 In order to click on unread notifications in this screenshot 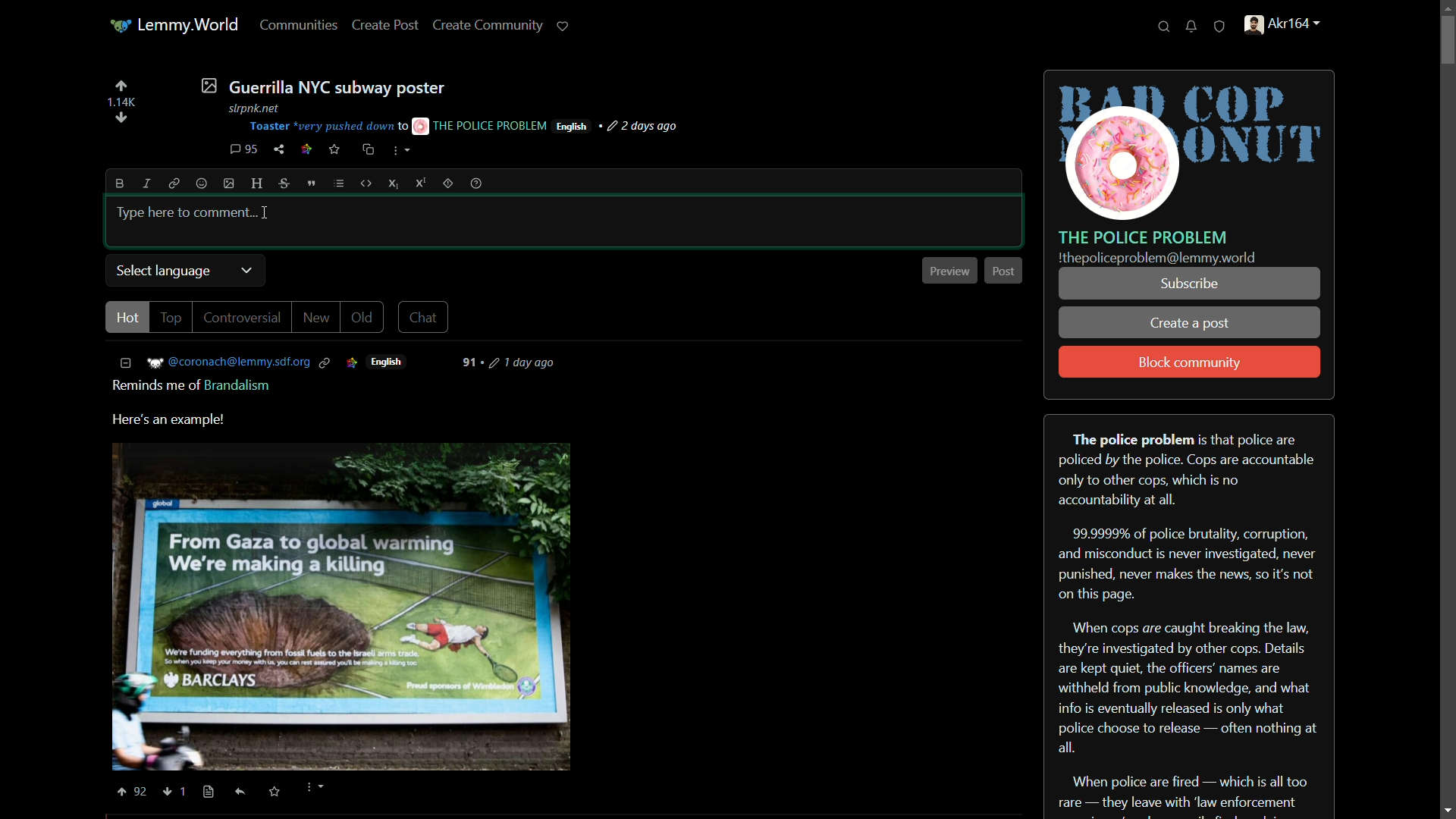, I will do `click(1193, 27)`.